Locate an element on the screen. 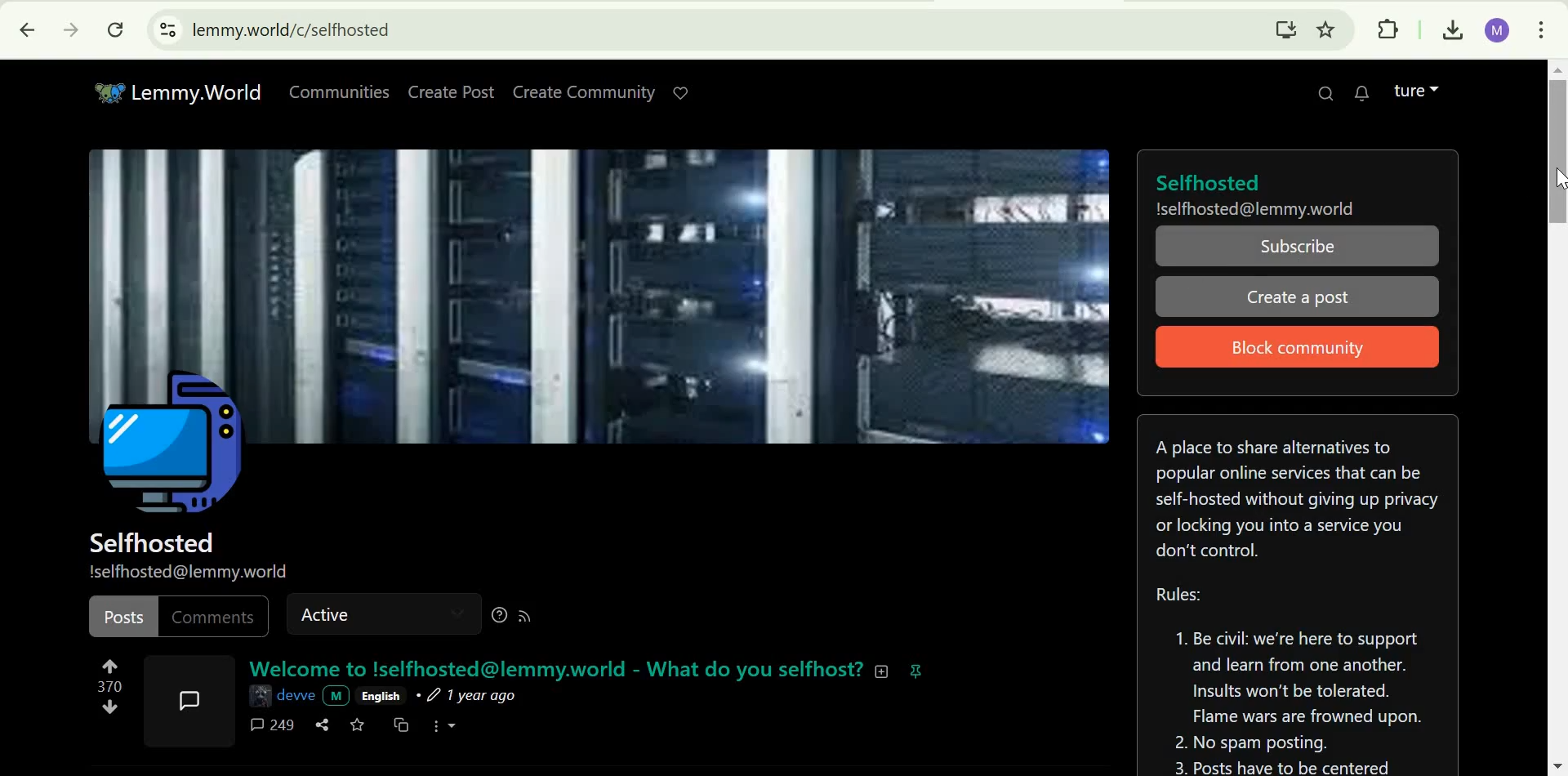 This screenshot has width=1568, height=776. Reload this page. is located at coordinates (118, 29).